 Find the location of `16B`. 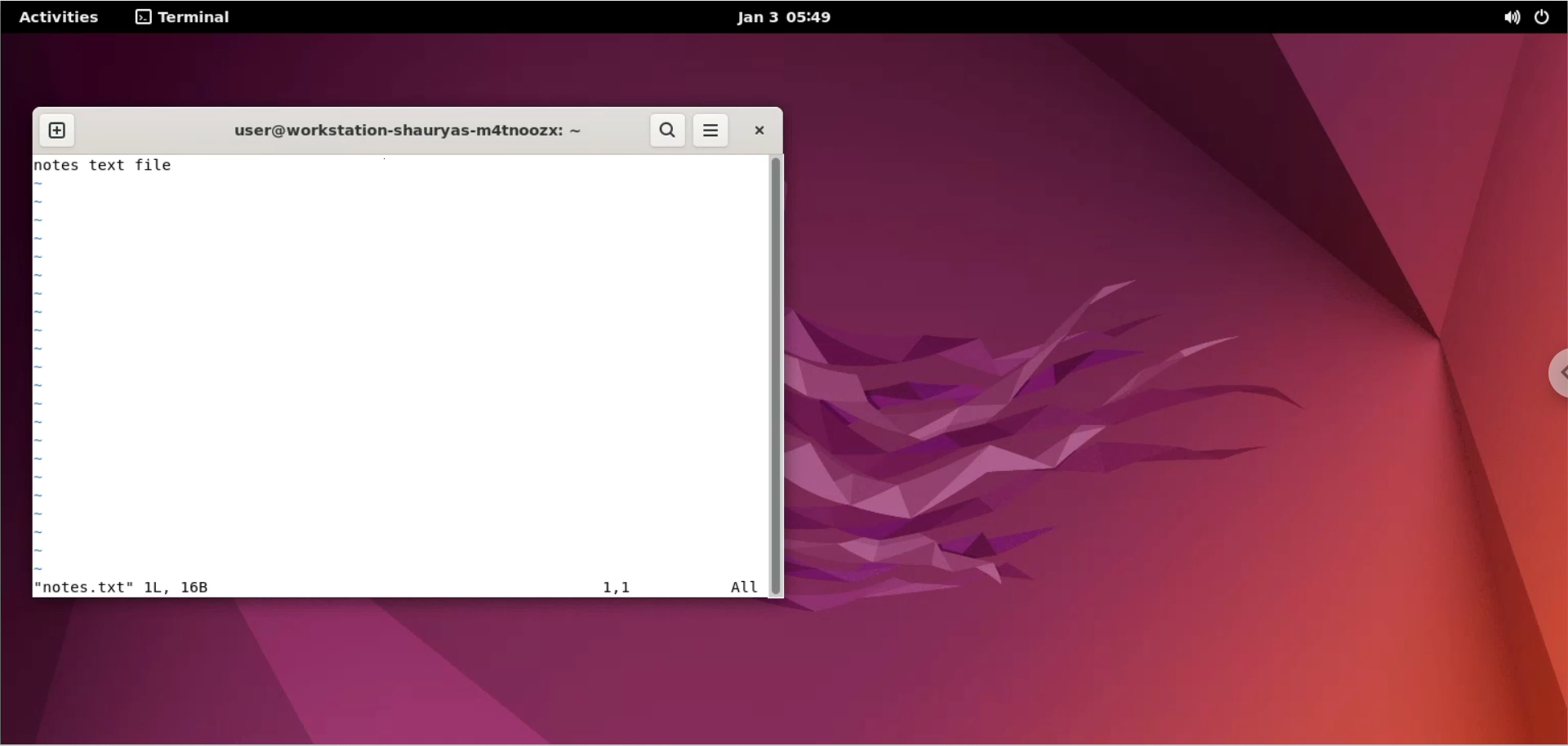

16B is located at coordinates (195, 587).